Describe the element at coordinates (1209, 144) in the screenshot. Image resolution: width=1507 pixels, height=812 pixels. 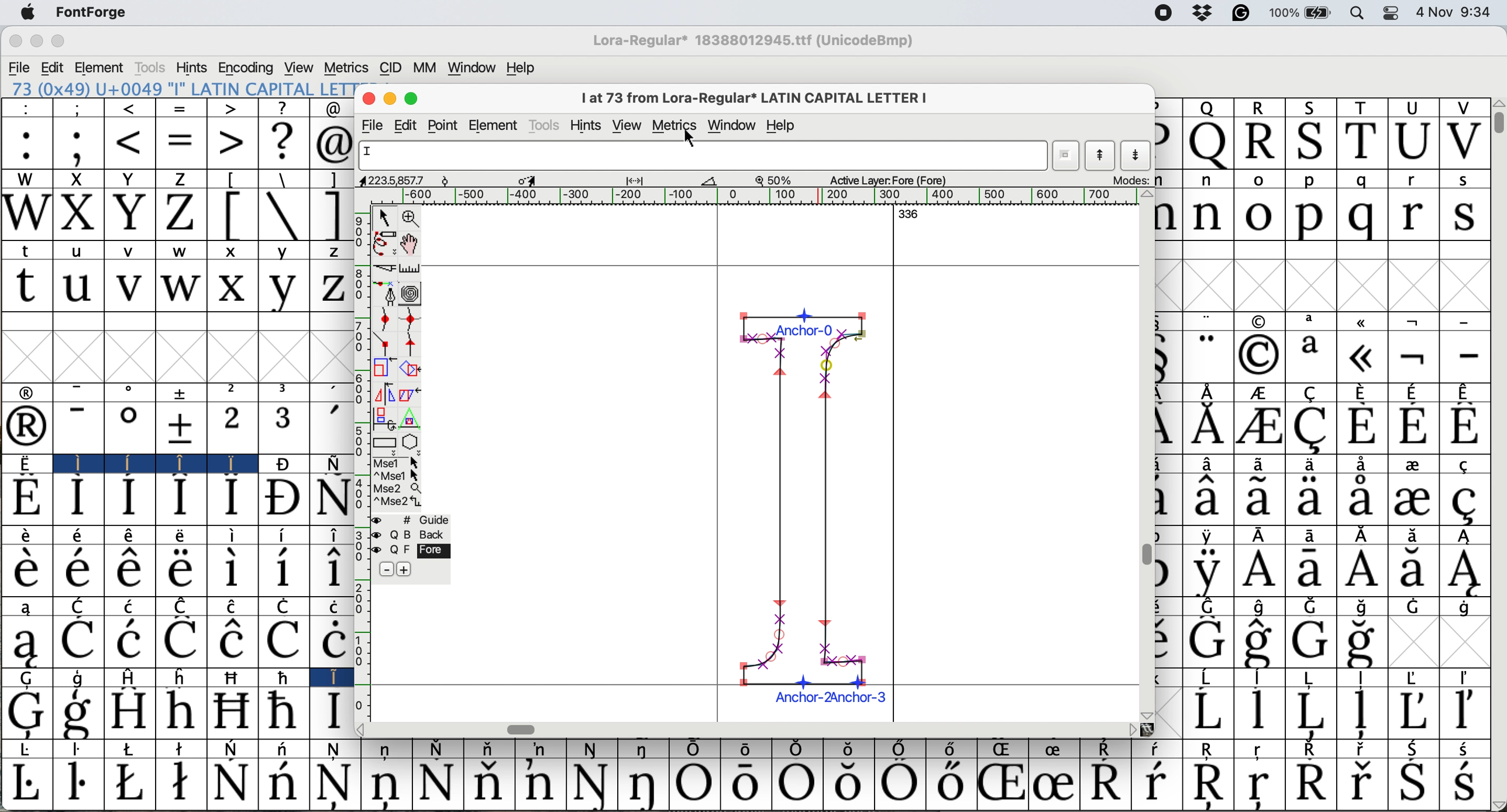
I see `Q` at that location.